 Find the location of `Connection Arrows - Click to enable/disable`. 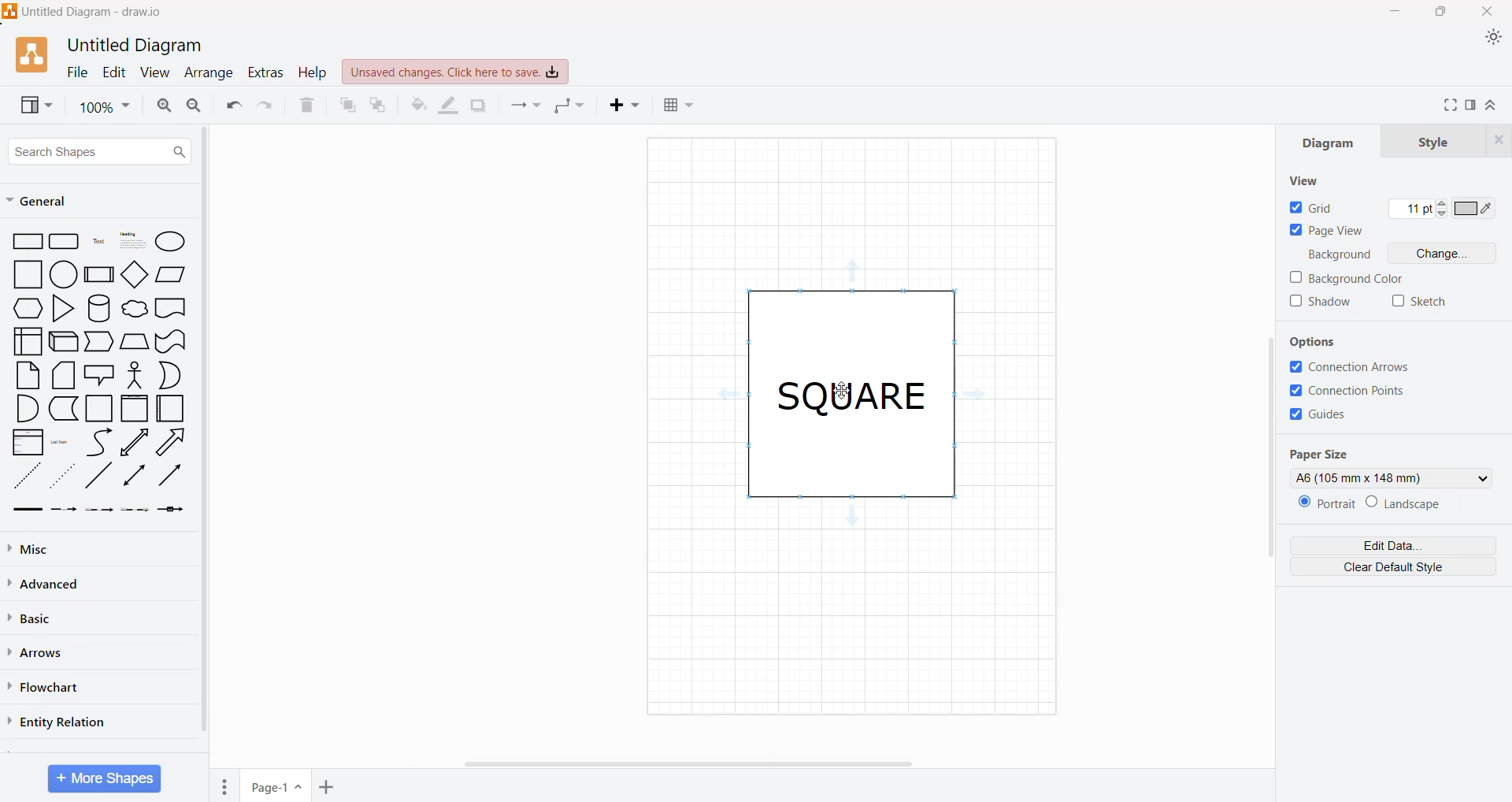

Connection Arrows - Click to enable/disable is located at coordinates (1351, 368).